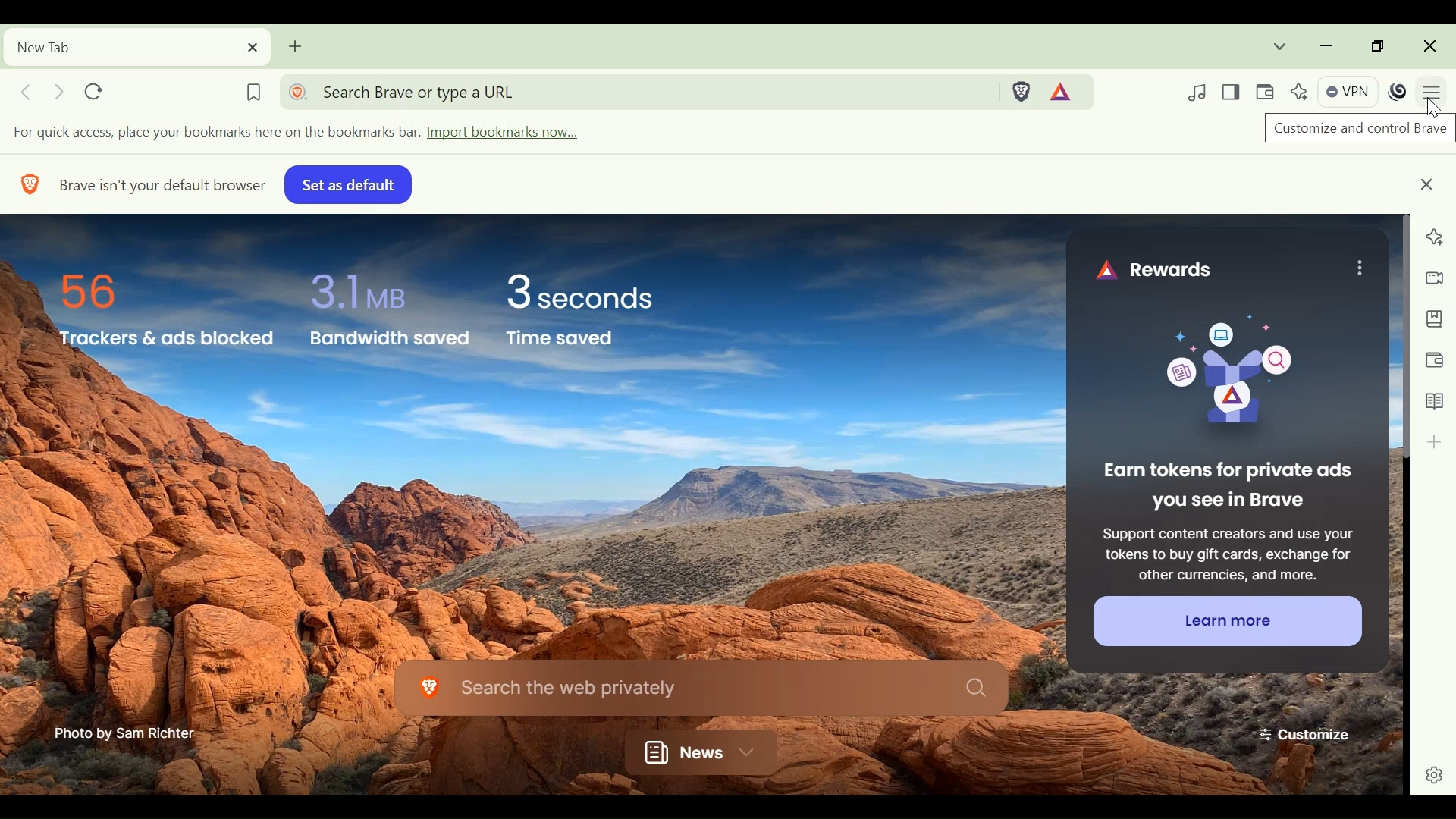  I want to click on Search the web privately, so click(699, 687).